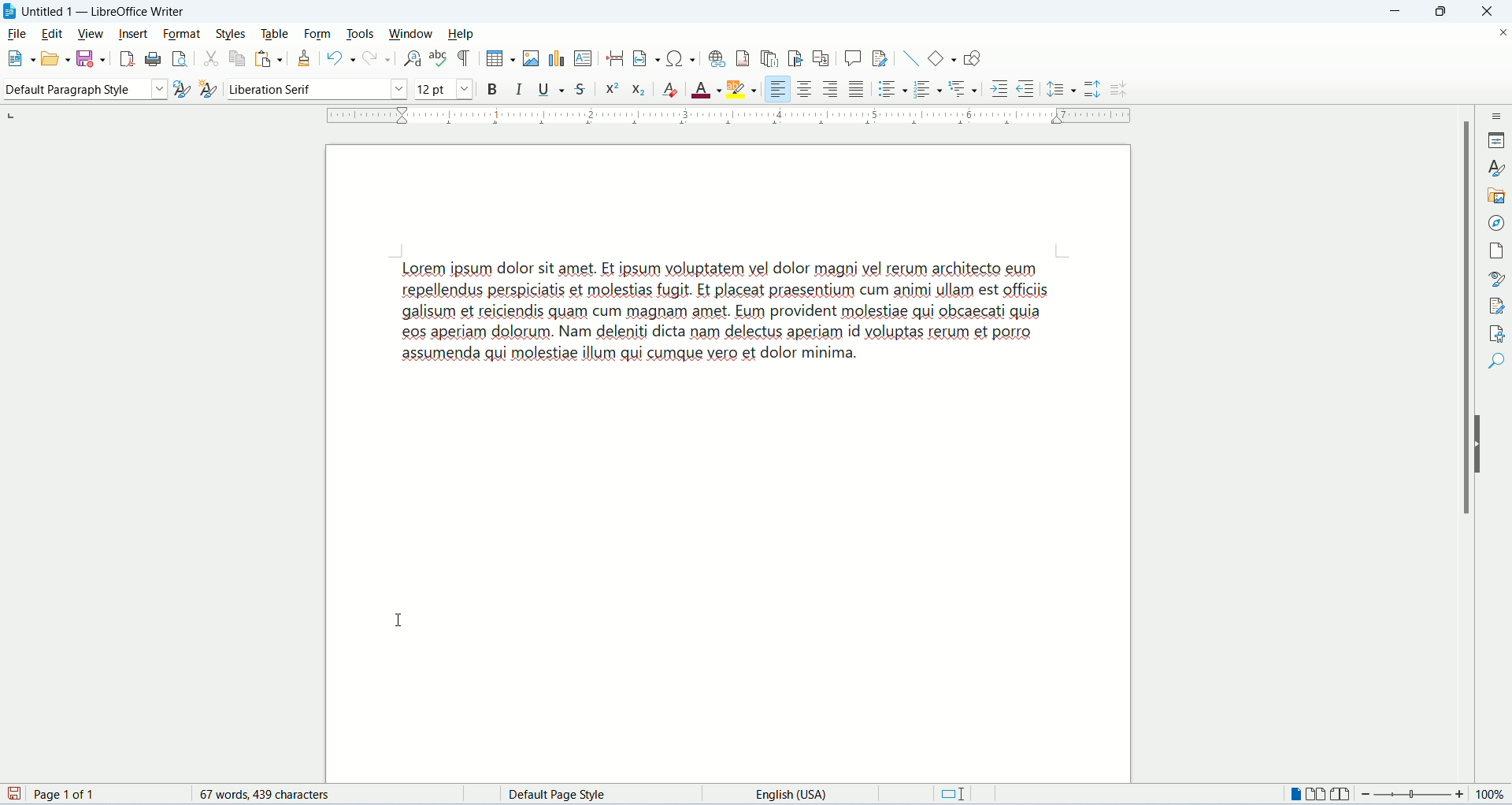 Image resolution: width=1512 pixels, height=805 pixels. Describe the element at coordinates (584, 58) in the screenshot. I see `insert text box` at that location.